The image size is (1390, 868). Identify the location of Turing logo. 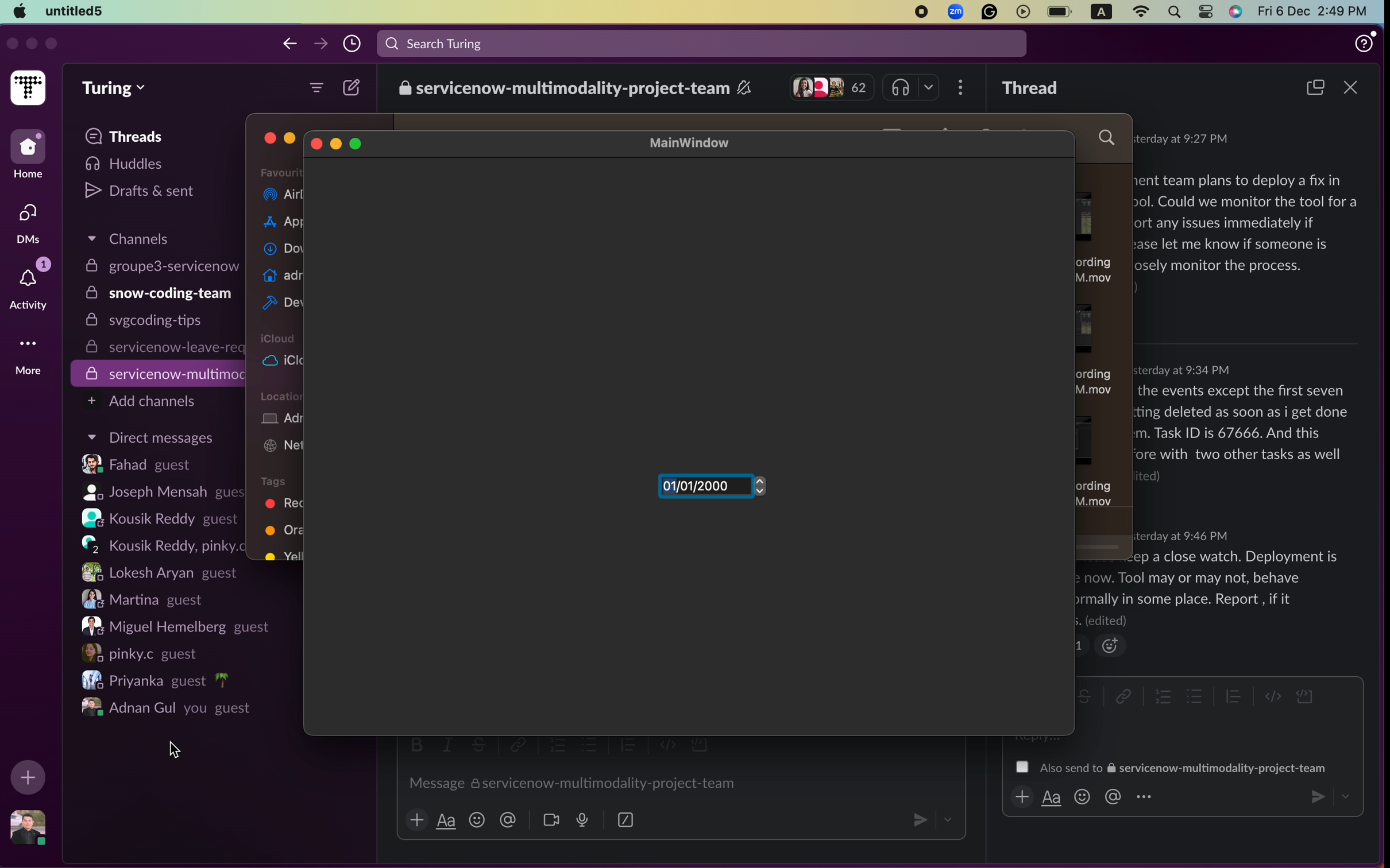
(29, 88).